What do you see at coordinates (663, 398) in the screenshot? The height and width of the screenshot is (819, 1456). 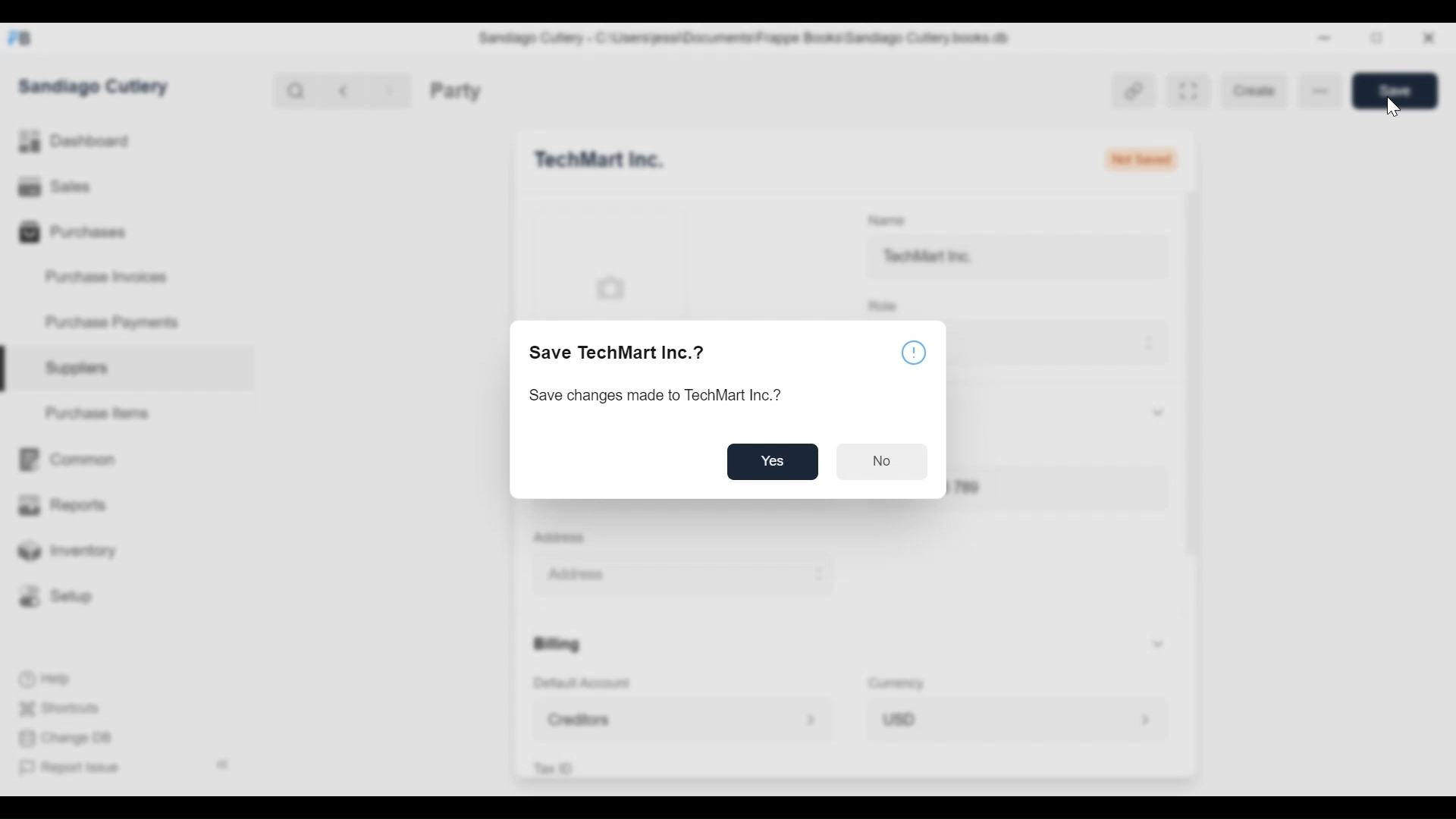 I see `Save changes made to TechMart Inc.?` at bounding box center [663, 398].